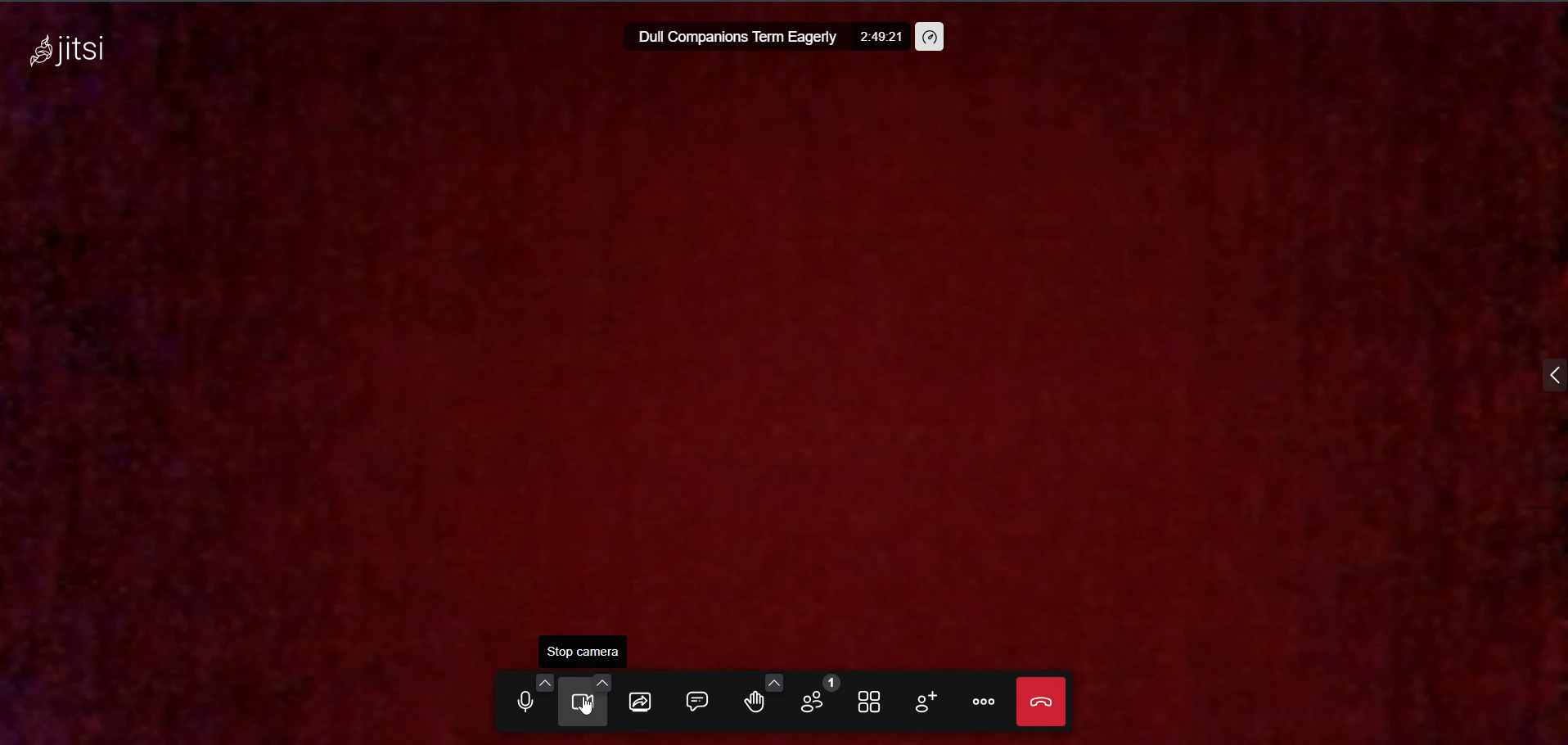 Image resolution: width=1568 pixels, height=745 pixels. I want to click on tile view, so click(869, 702).